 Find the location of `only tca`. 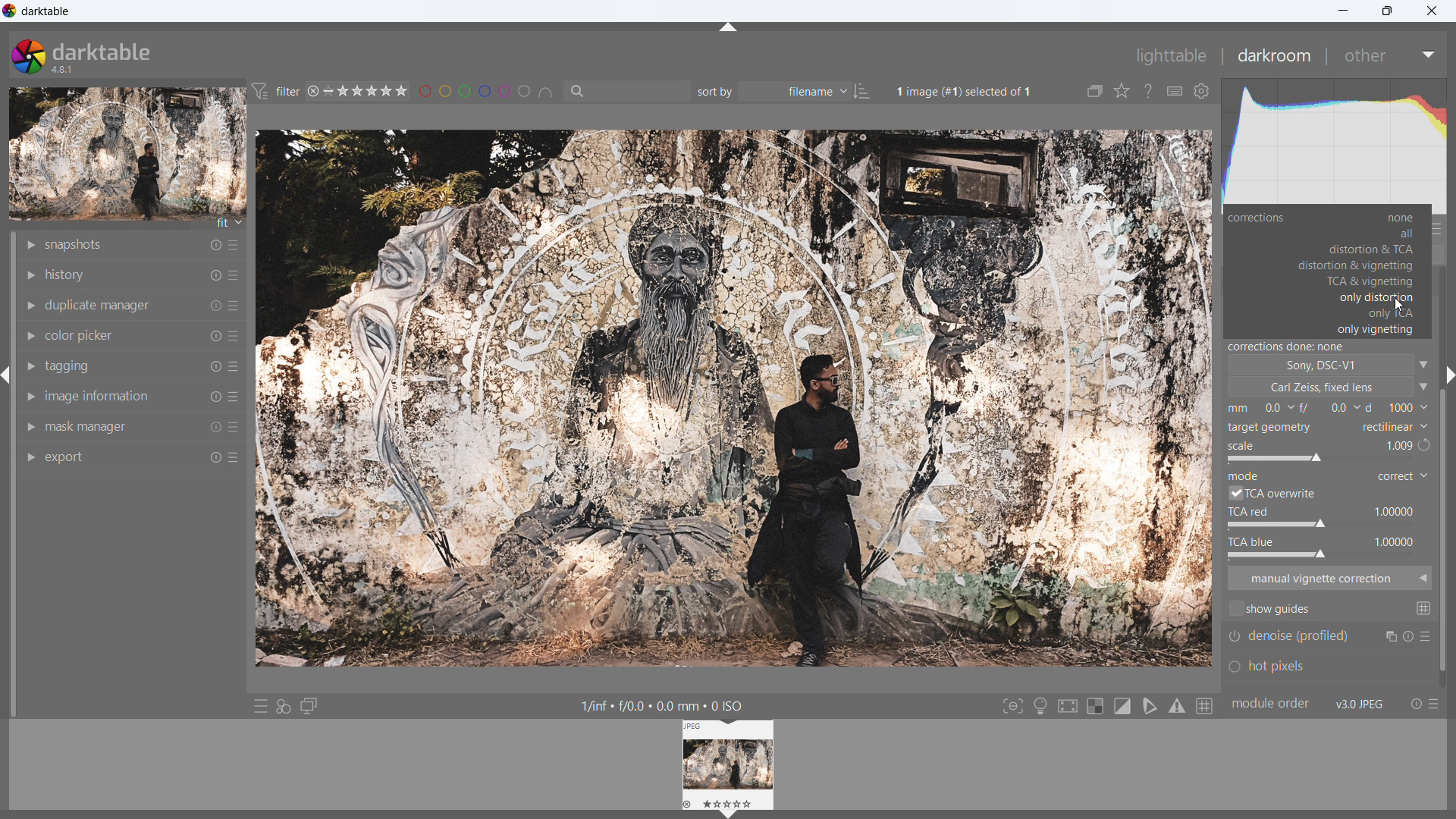

only tca is located at coordinates (1390, 314).